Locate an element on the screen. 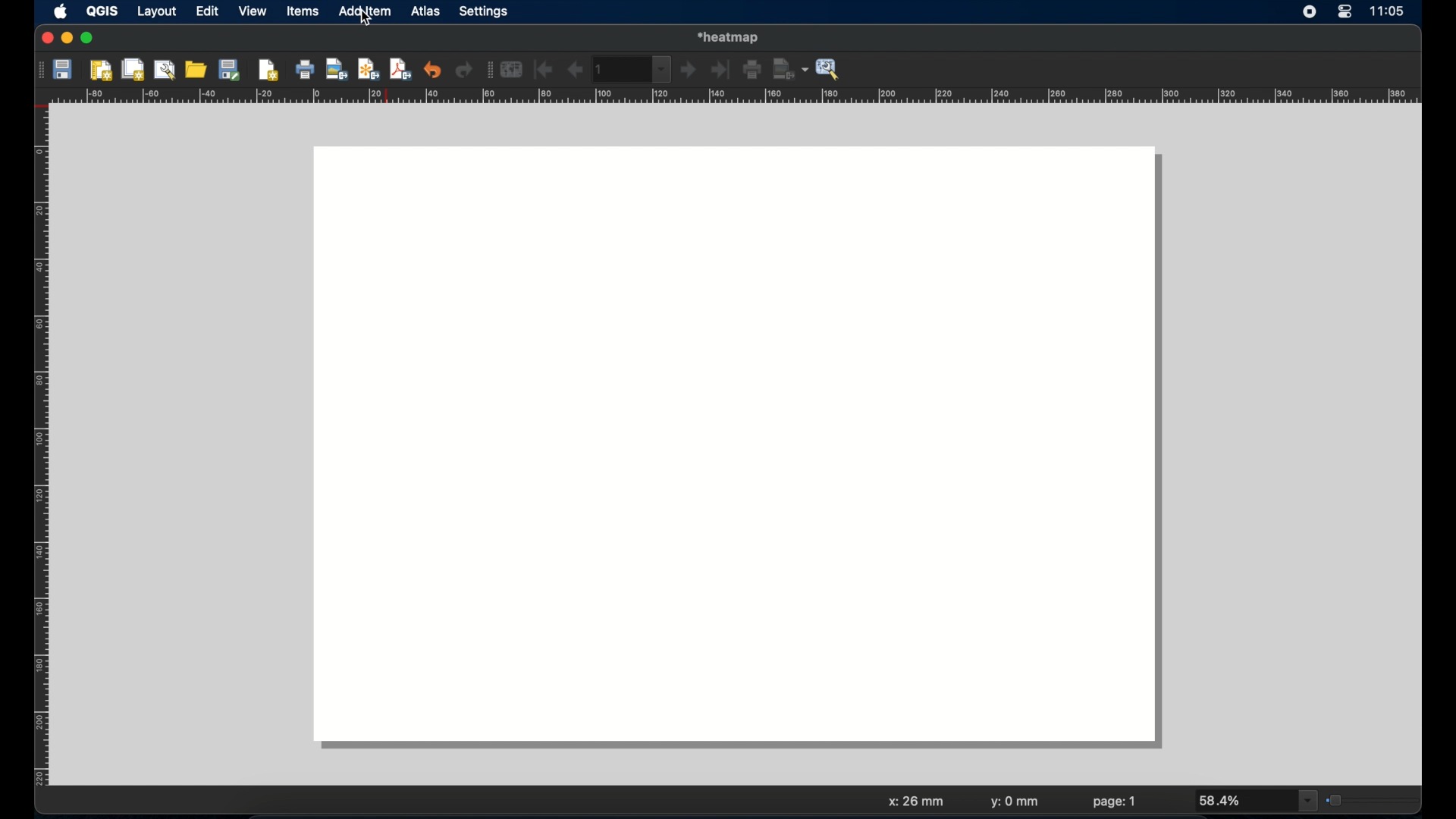  minimize is located at coordinates (67, 39).